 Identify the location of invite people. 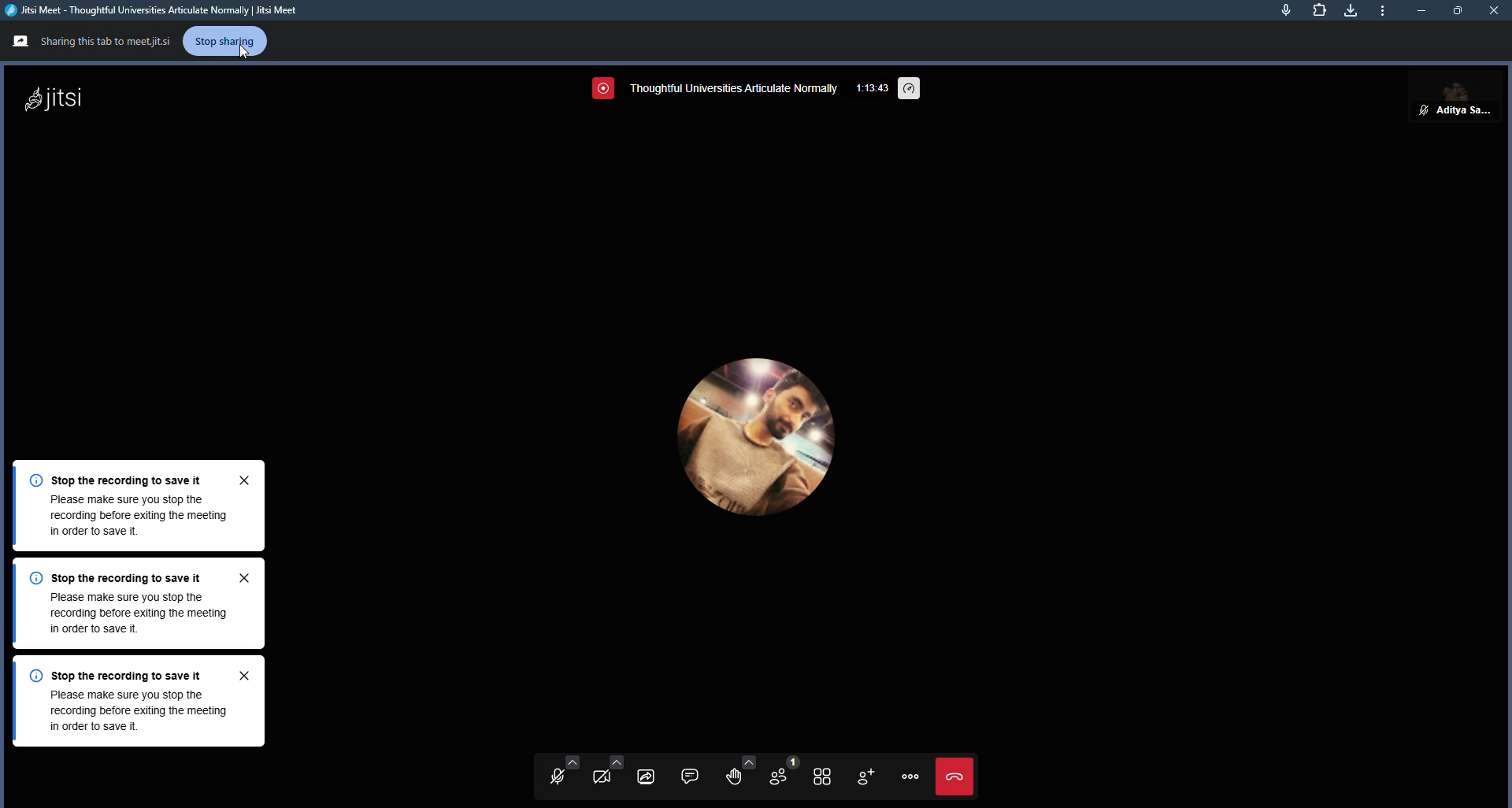
(865, 774).